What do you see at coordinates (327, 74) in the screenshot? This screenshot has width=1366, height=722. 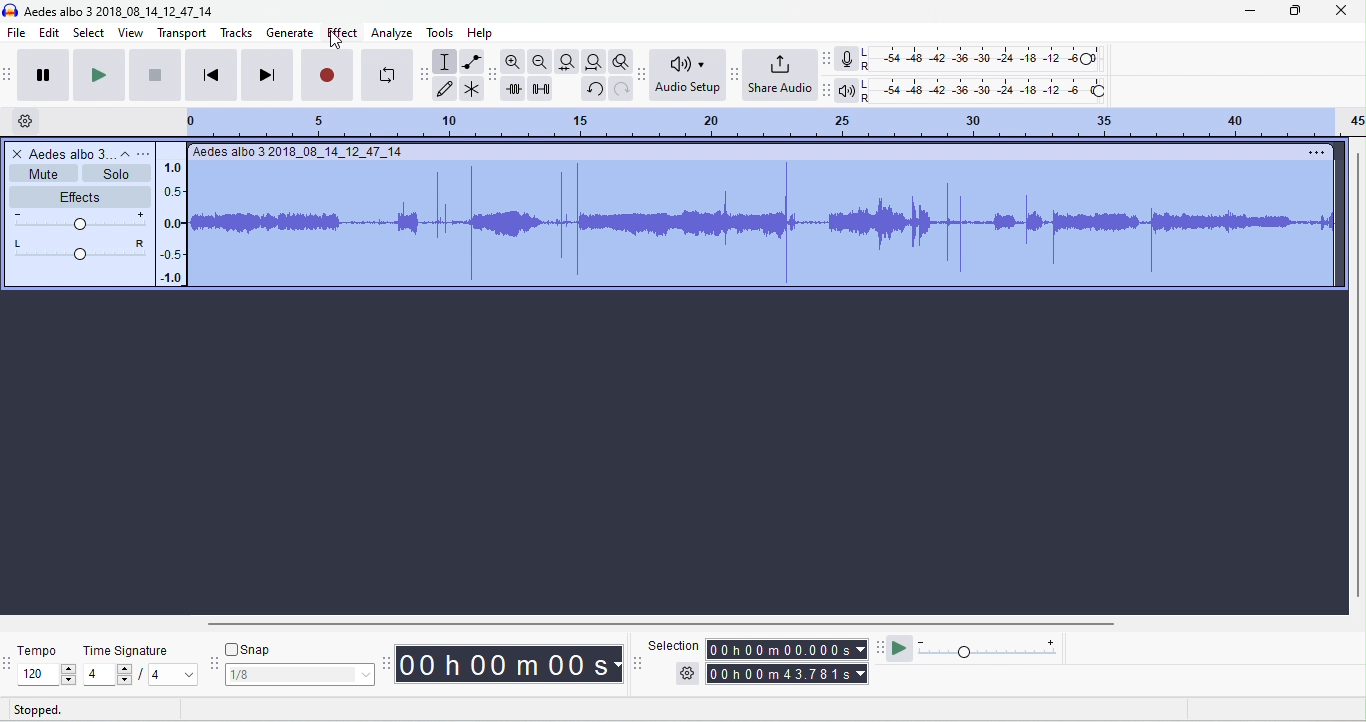 I see `record` at bounding box center [327, 74].